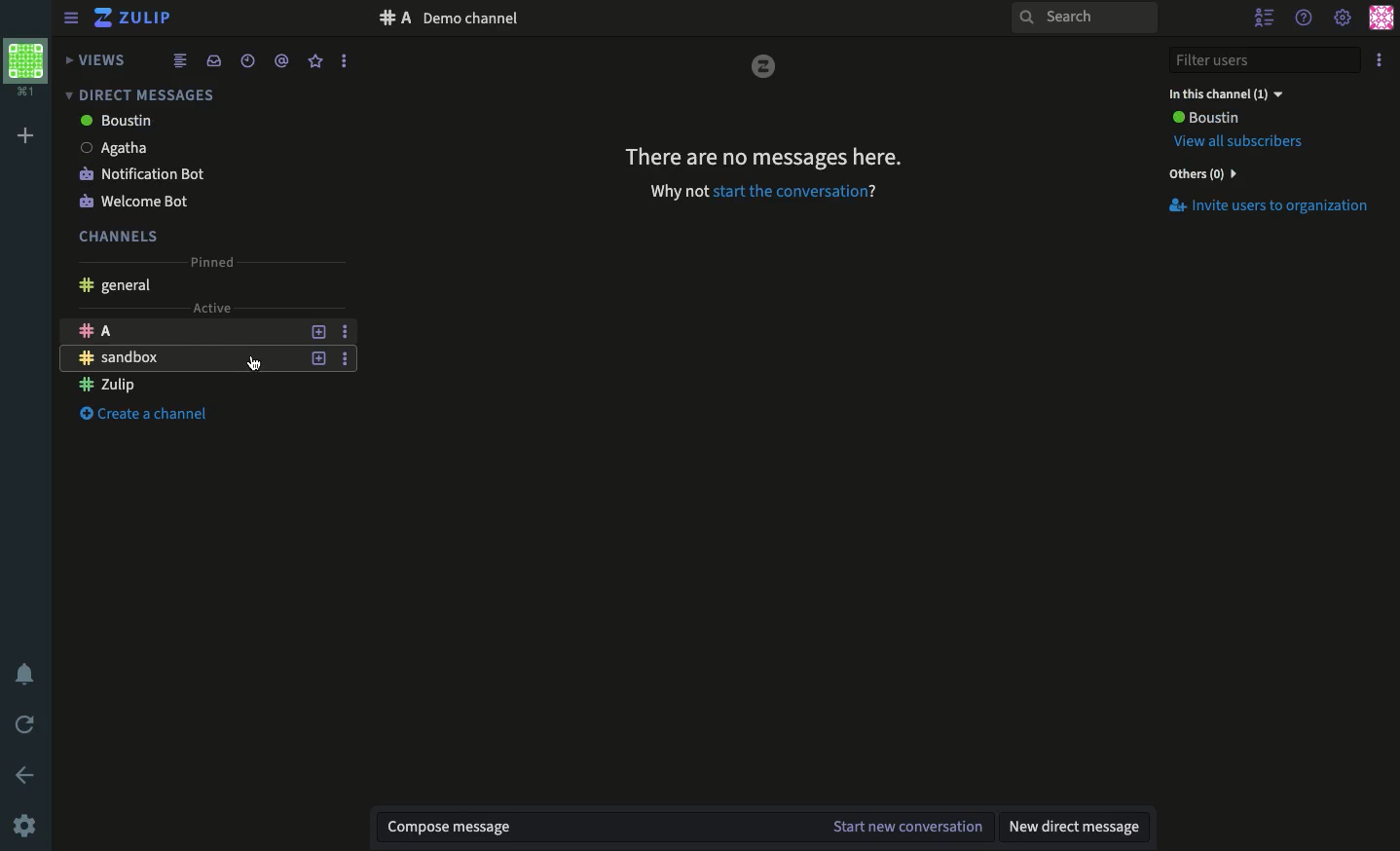 The height and width of the screenshot is (851, 1400). What do you see at coordinates (1382, 56) in the screenshot?
I see `Options ` at bounding box center [1382, 56].